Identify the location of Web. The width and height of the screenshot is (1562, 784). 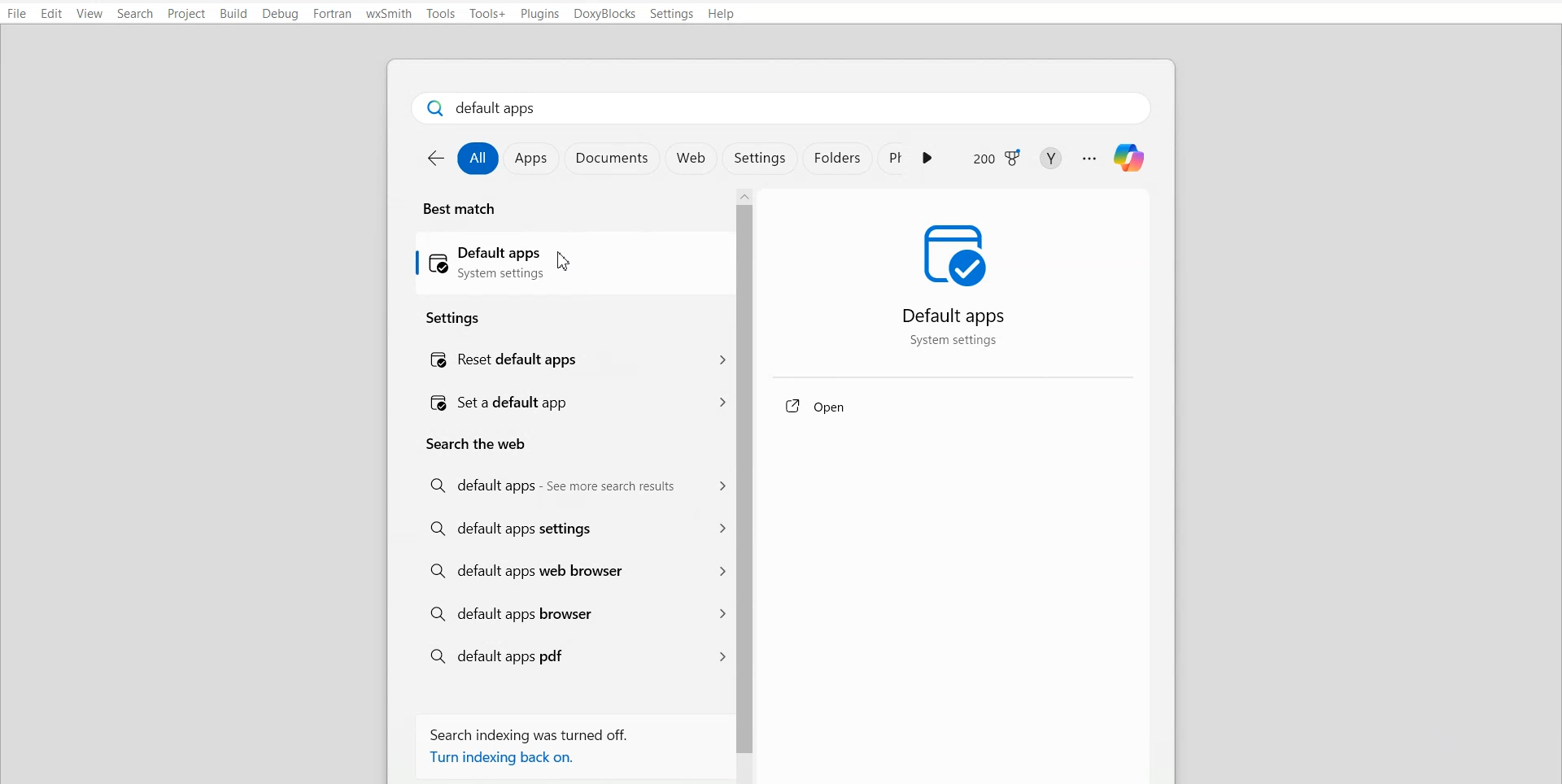
(692, 159).